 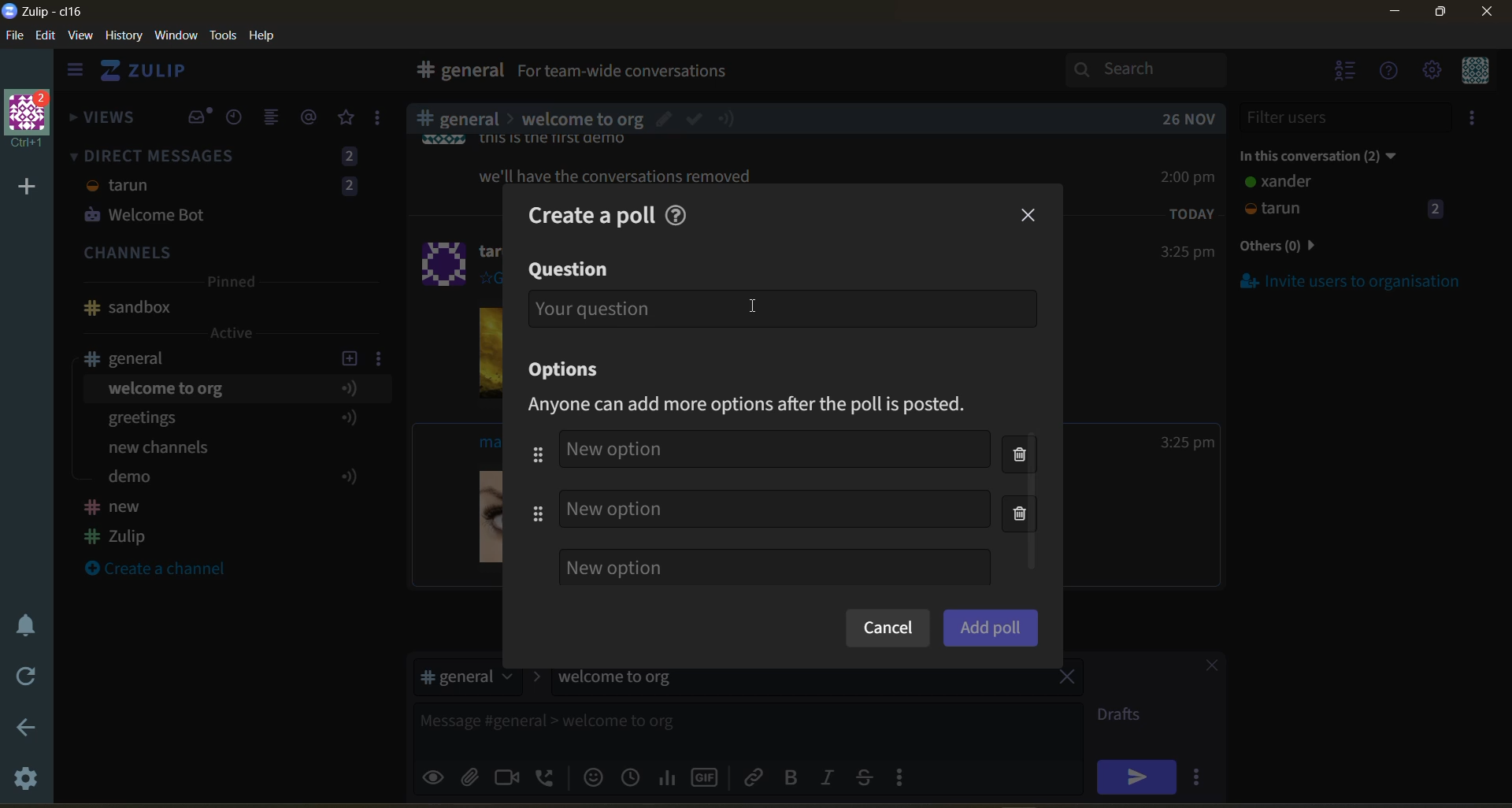 I want to click on tools, so click(x=226, y=34).